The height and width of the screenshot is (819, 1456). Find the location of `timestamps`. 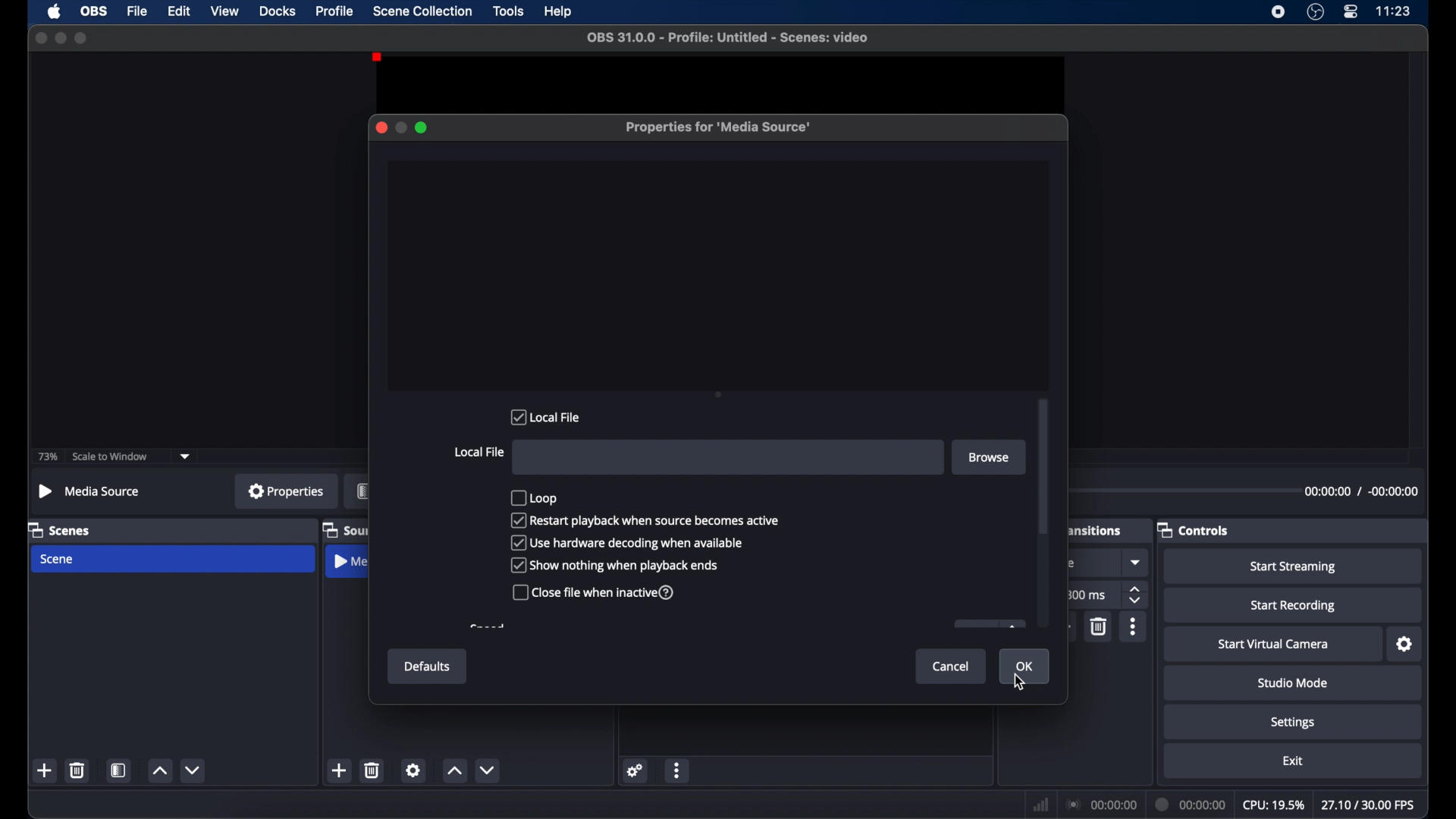

timestamps is located at coordinates (1361, 492).